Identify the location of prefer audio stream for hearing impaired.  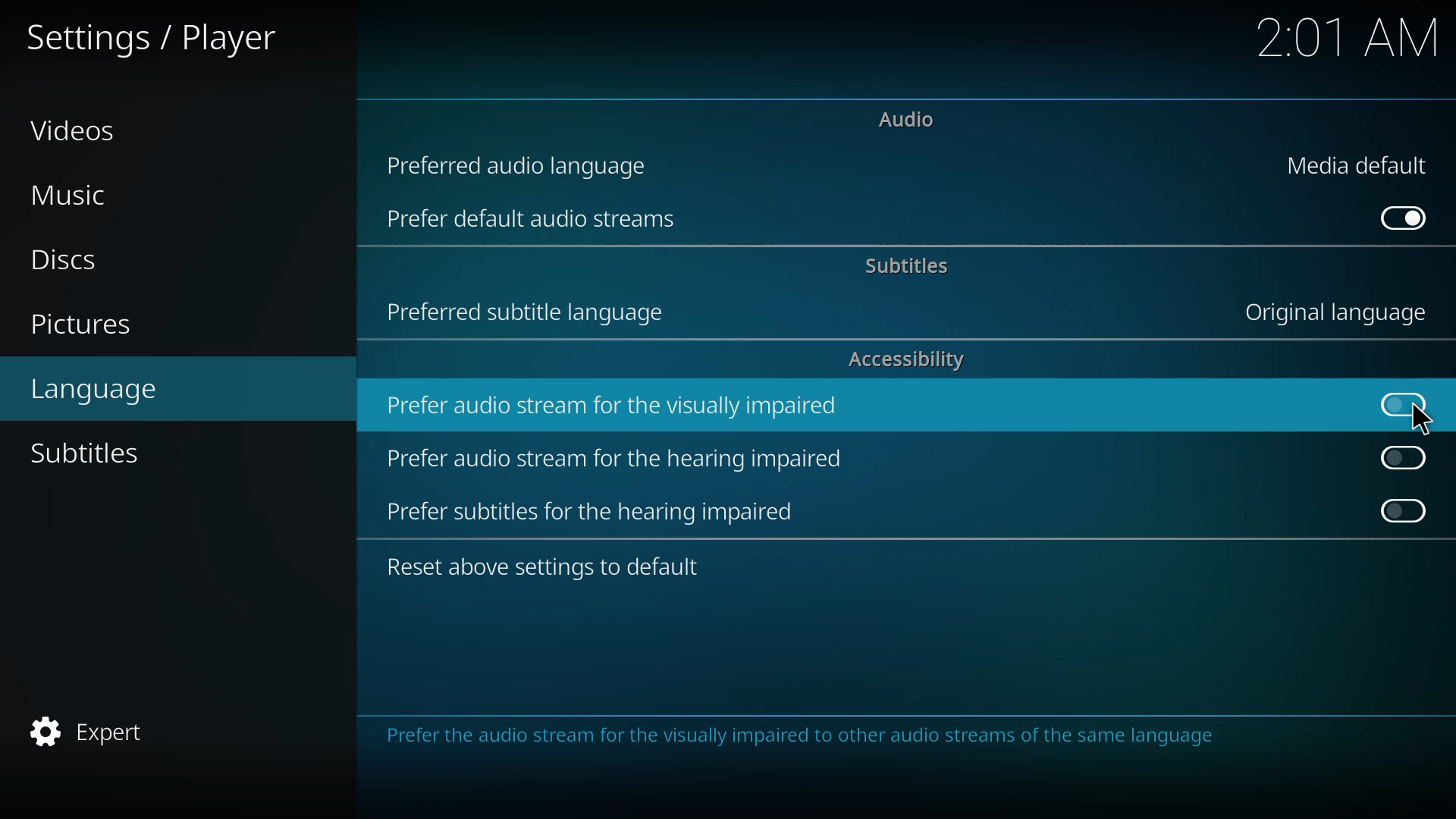
(617, 460).